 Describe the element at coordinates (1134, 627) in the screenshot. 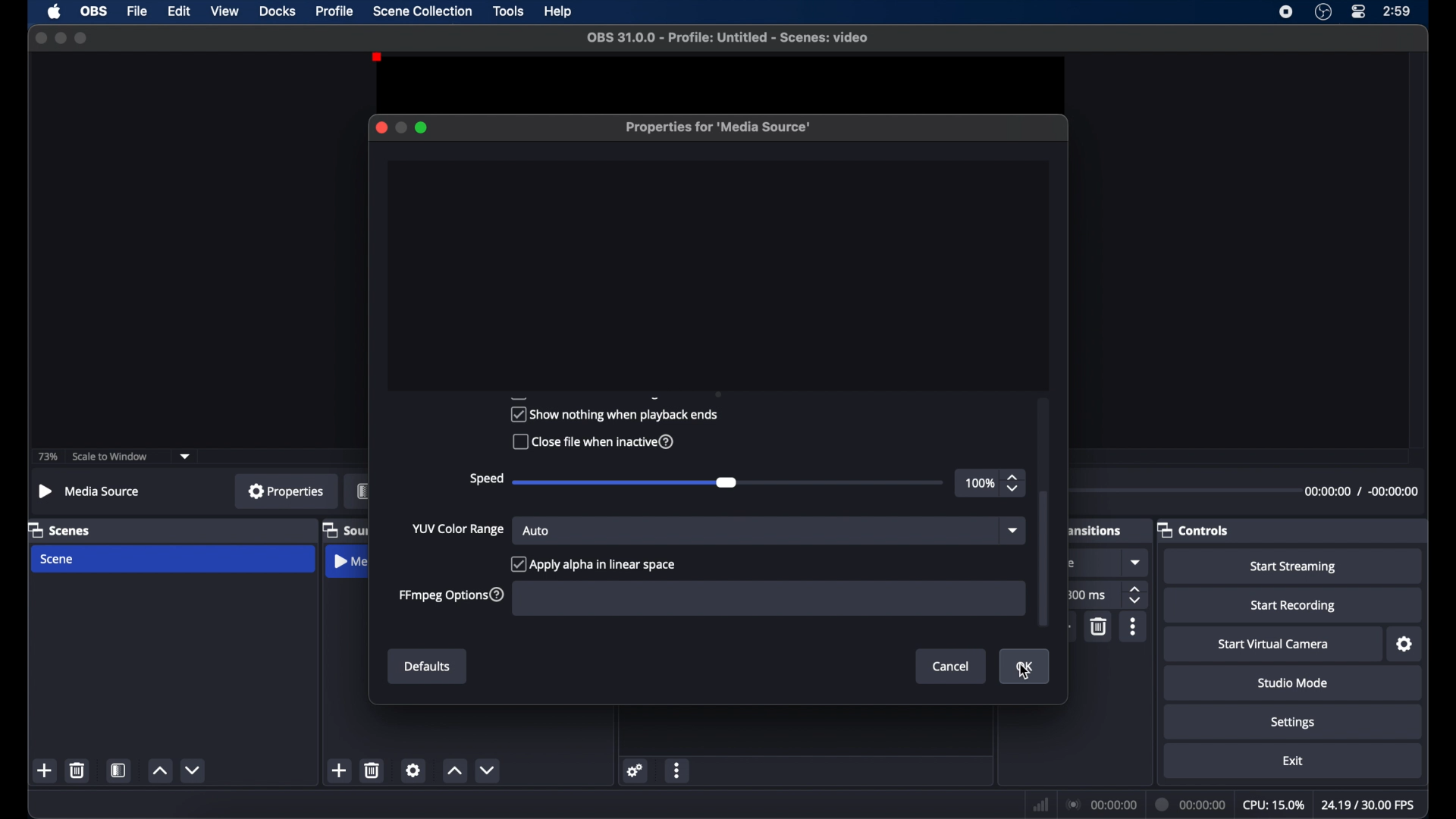

I see `more options` at that location.